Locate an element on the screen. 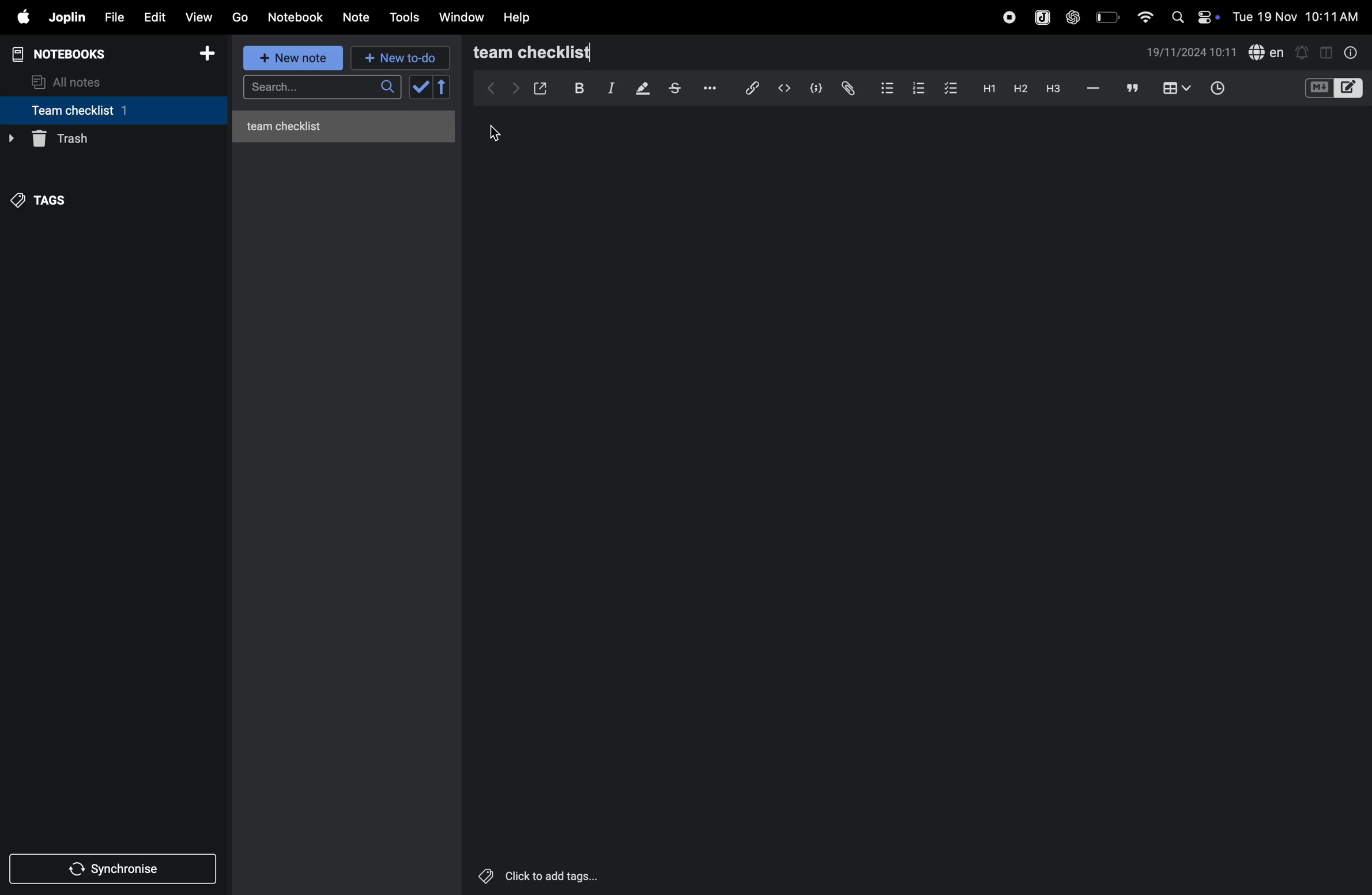 This screenshot has height=895, width=1372. file is located at coordinates (114, 16).